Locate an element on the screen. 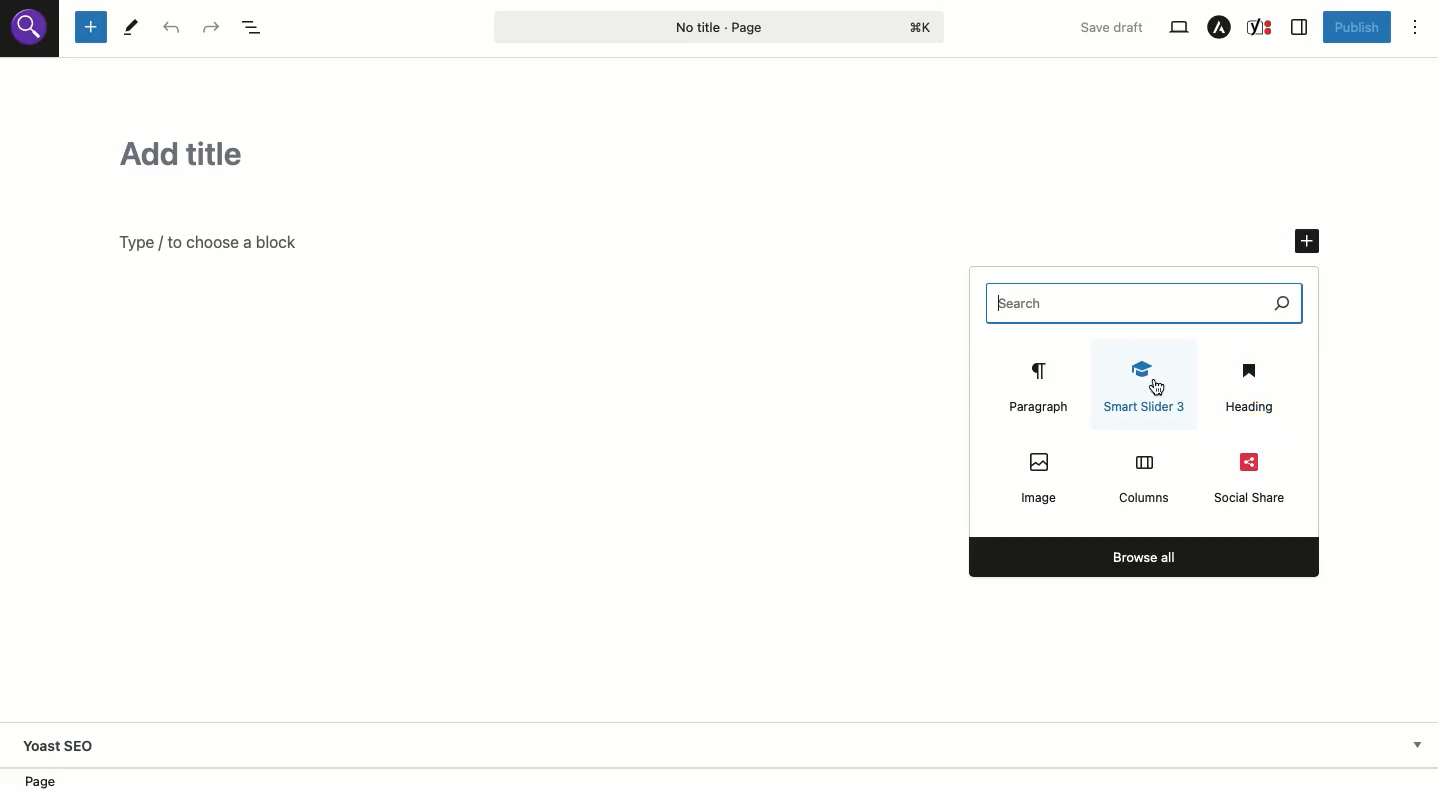 The width and height of the screenshot is (1438, 792). Options is located at coordinates (1415, 27).